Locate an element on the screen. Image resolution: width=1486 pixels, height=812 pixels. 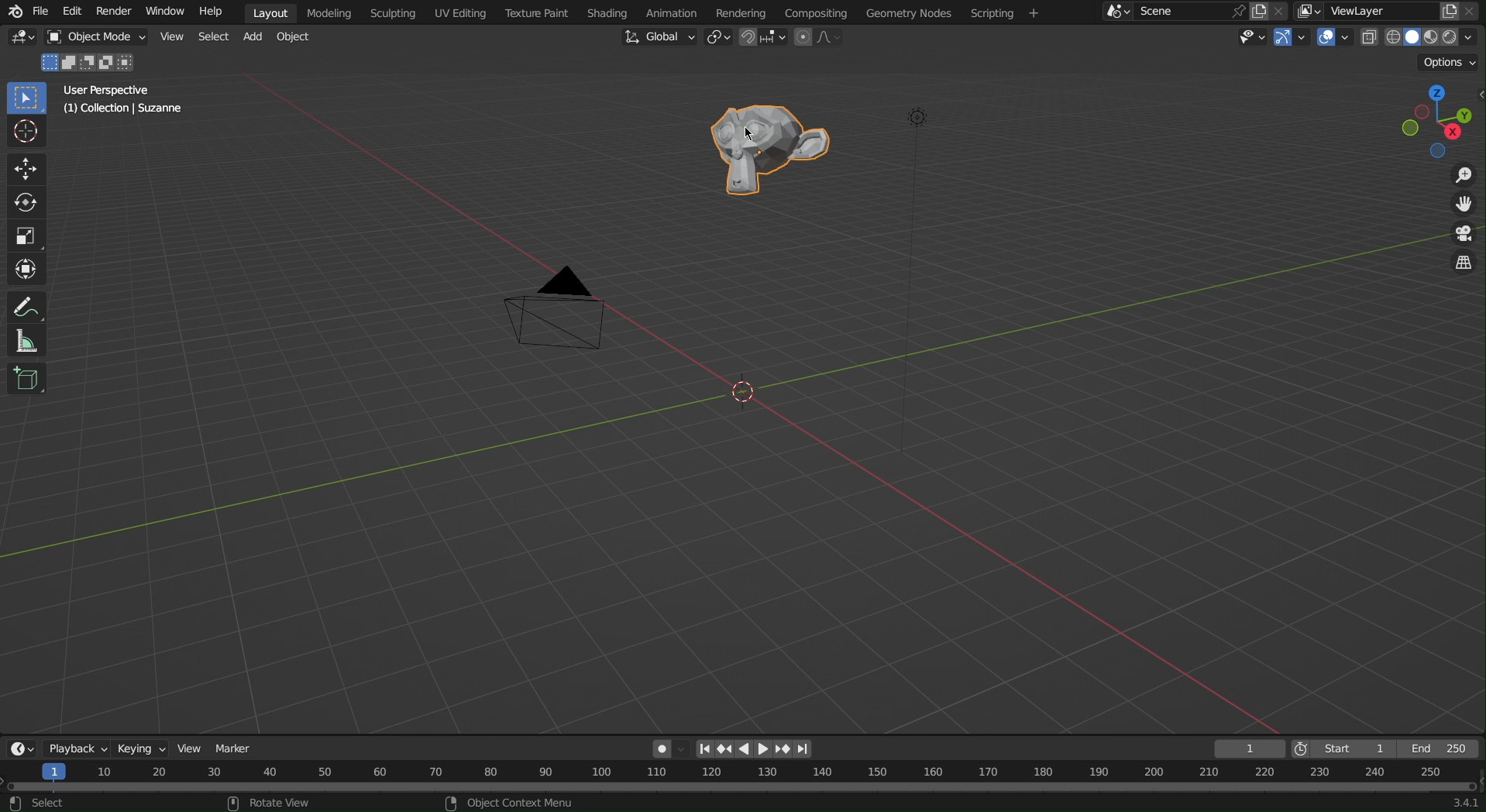
Measure is located at coordinates (23, 342).